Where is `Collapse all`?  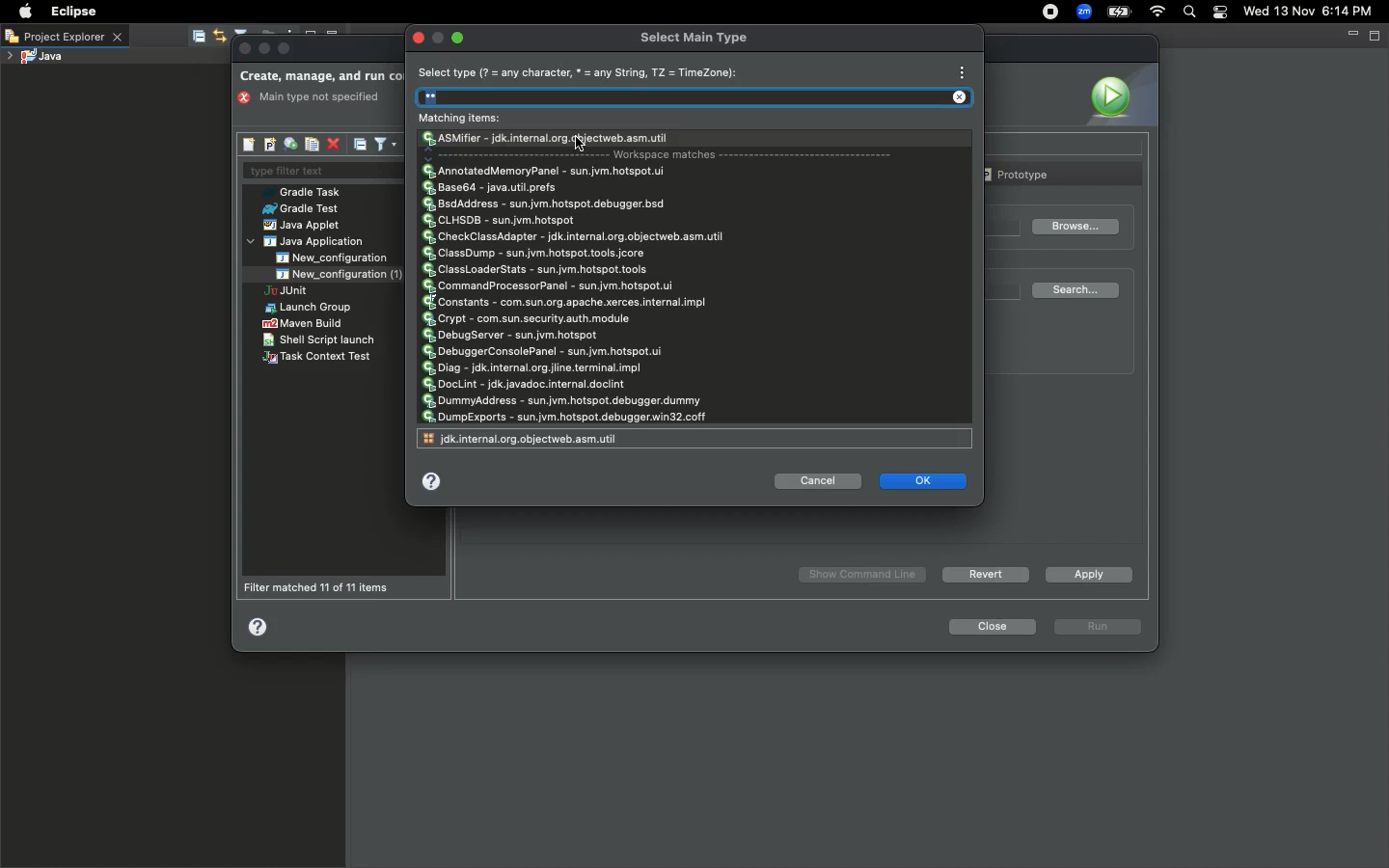
Collapse all is located at coordinates (361, 144).